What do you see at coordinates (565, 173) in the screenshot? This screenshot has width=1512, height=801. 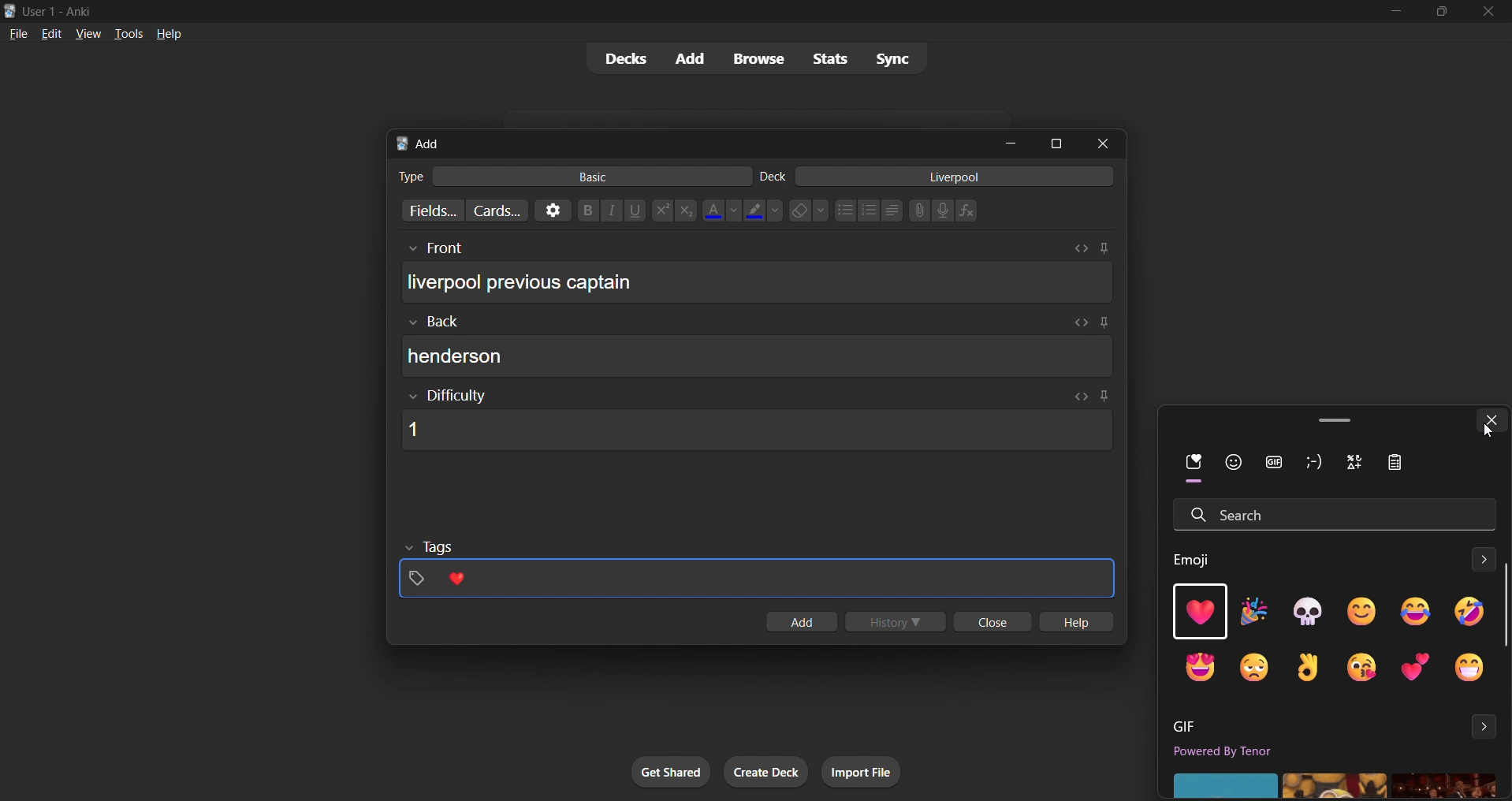 I see `card type input box` at bounding box center [565, 173].